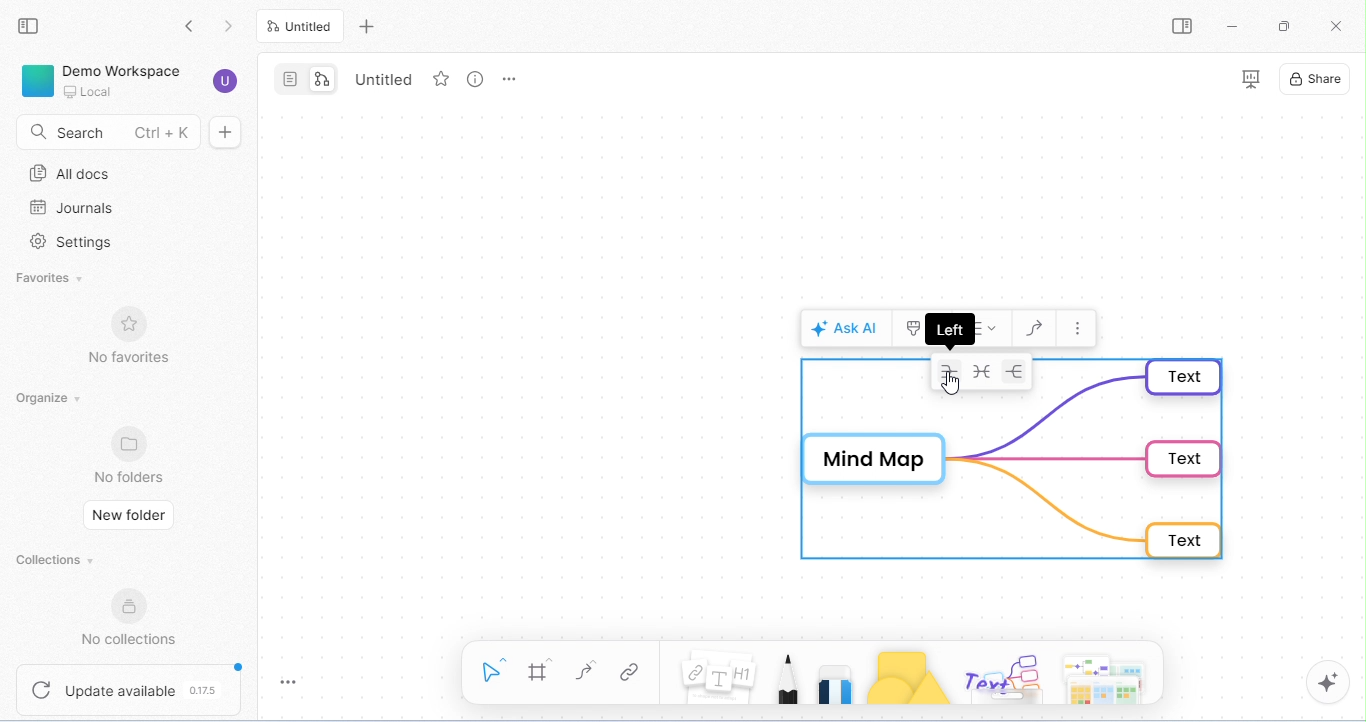  Describe the element at coordinates (492, 669) in the screenshot. I see `select` at that location.